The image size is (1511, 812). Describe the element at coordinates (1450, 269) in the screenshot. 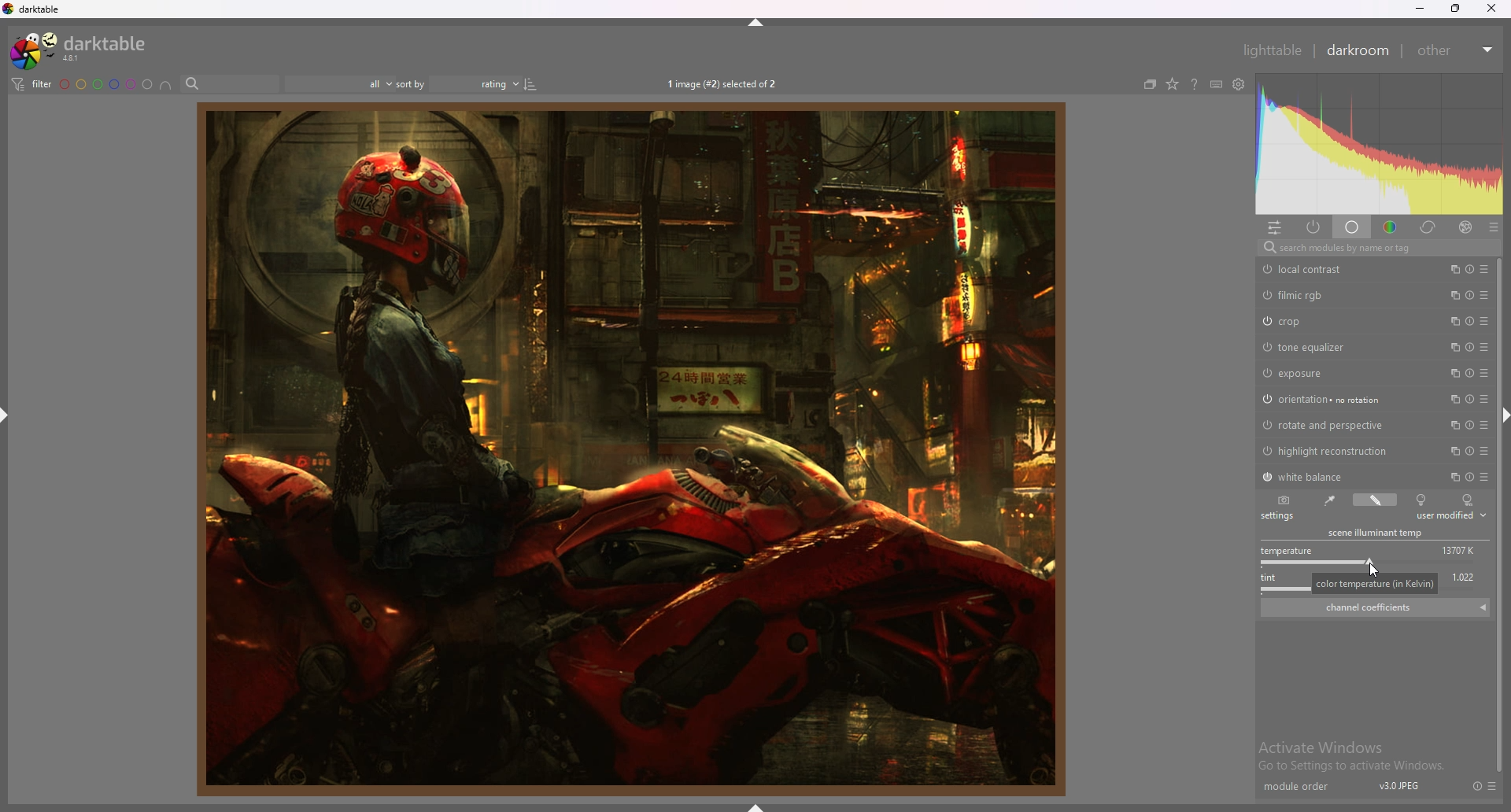

I see `multiple instances action` at that location.